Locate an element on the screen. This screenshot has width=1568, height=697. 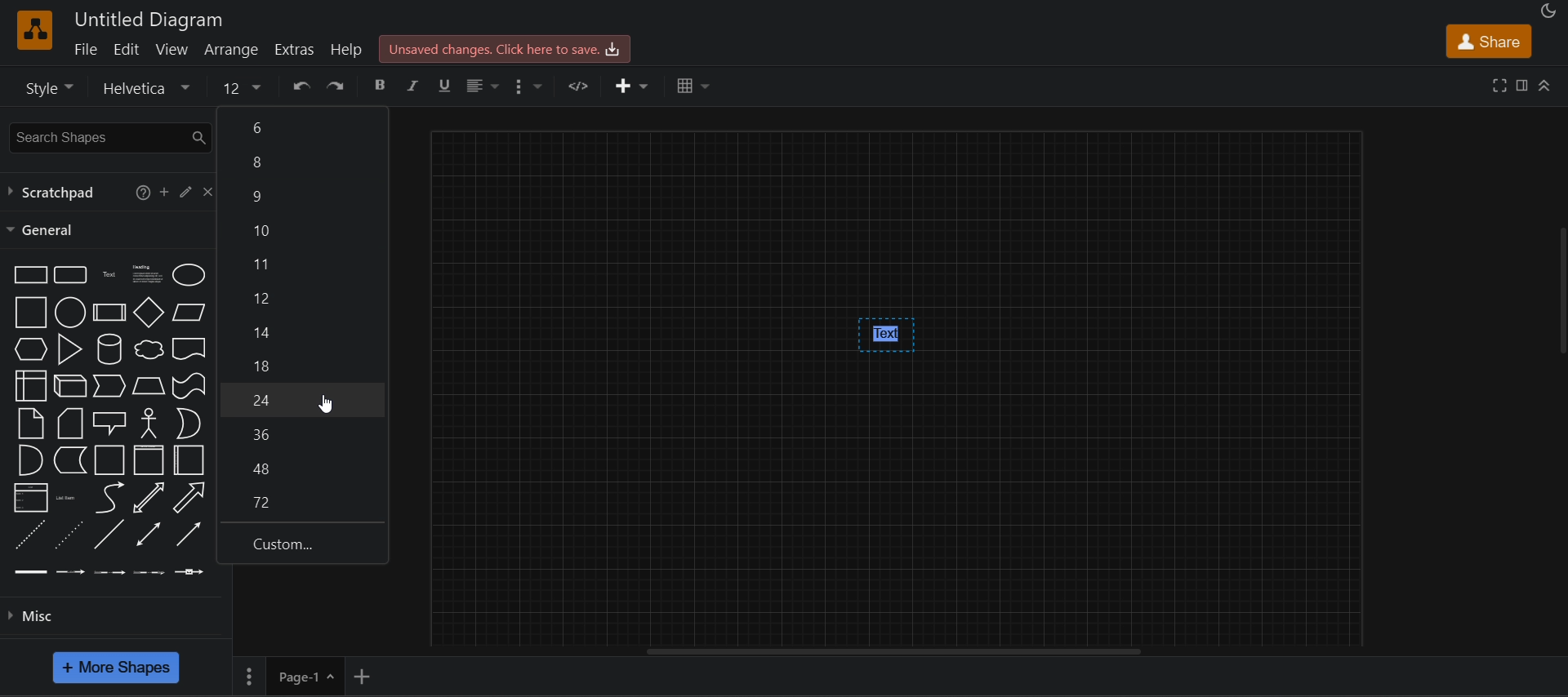
Line is located at coordinates (109, 534).